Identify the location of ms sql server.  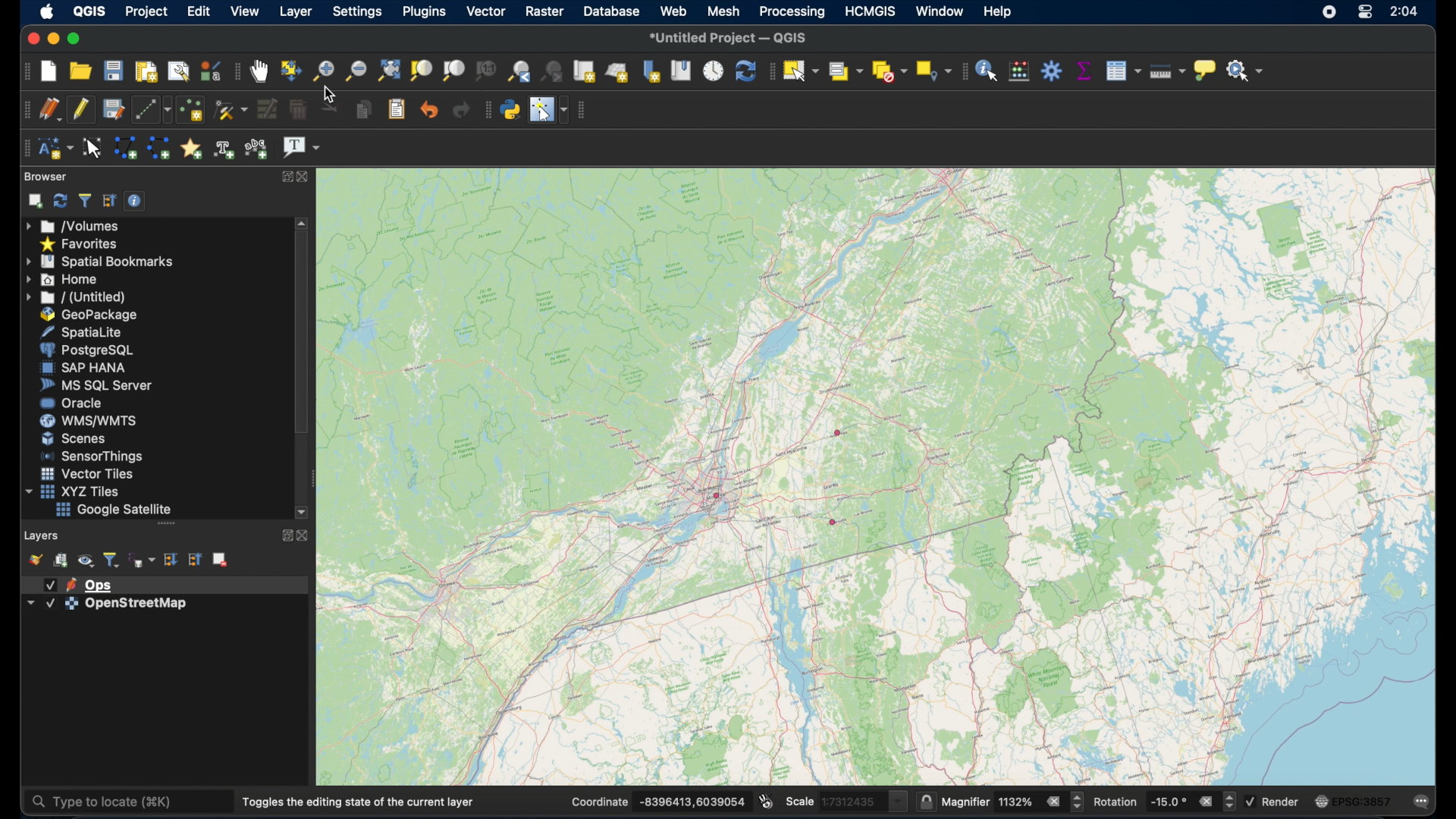
(93, 384).